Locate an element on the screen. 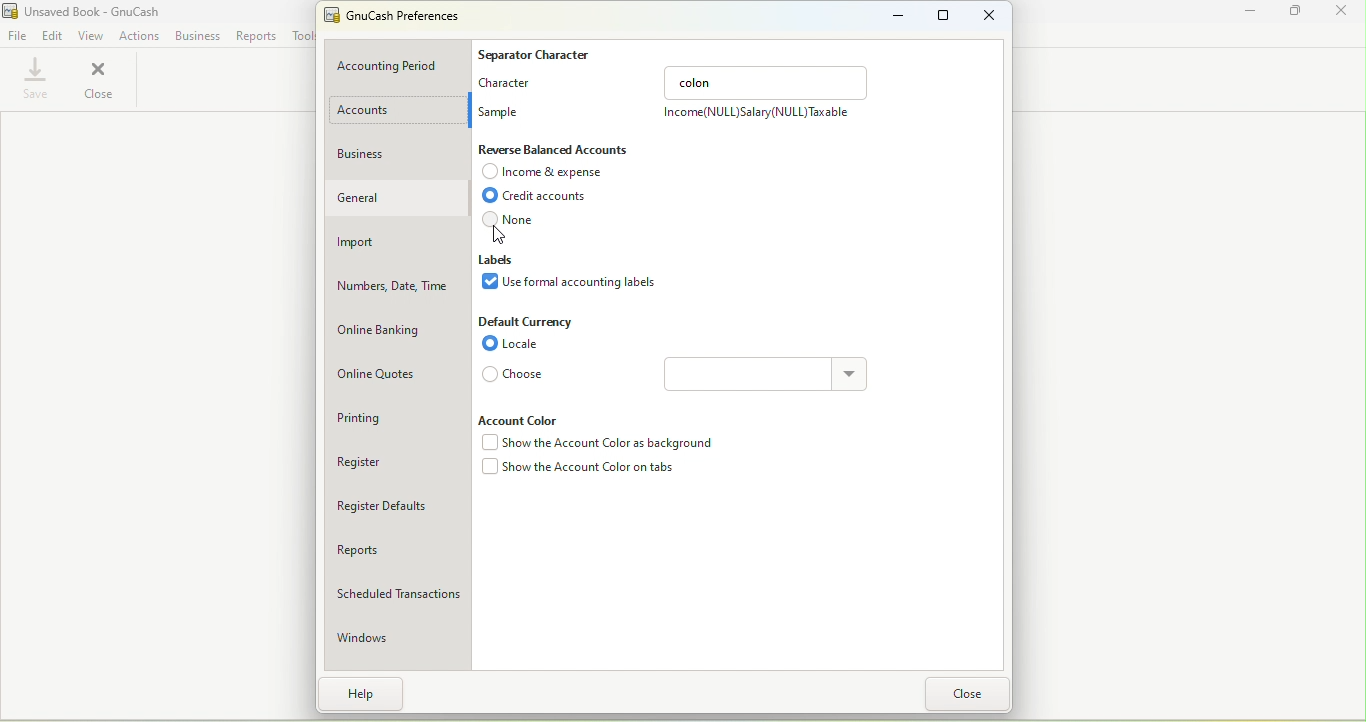 The height and width of the screenshot is (722, 1366). None is located at coordinates (510, 223).